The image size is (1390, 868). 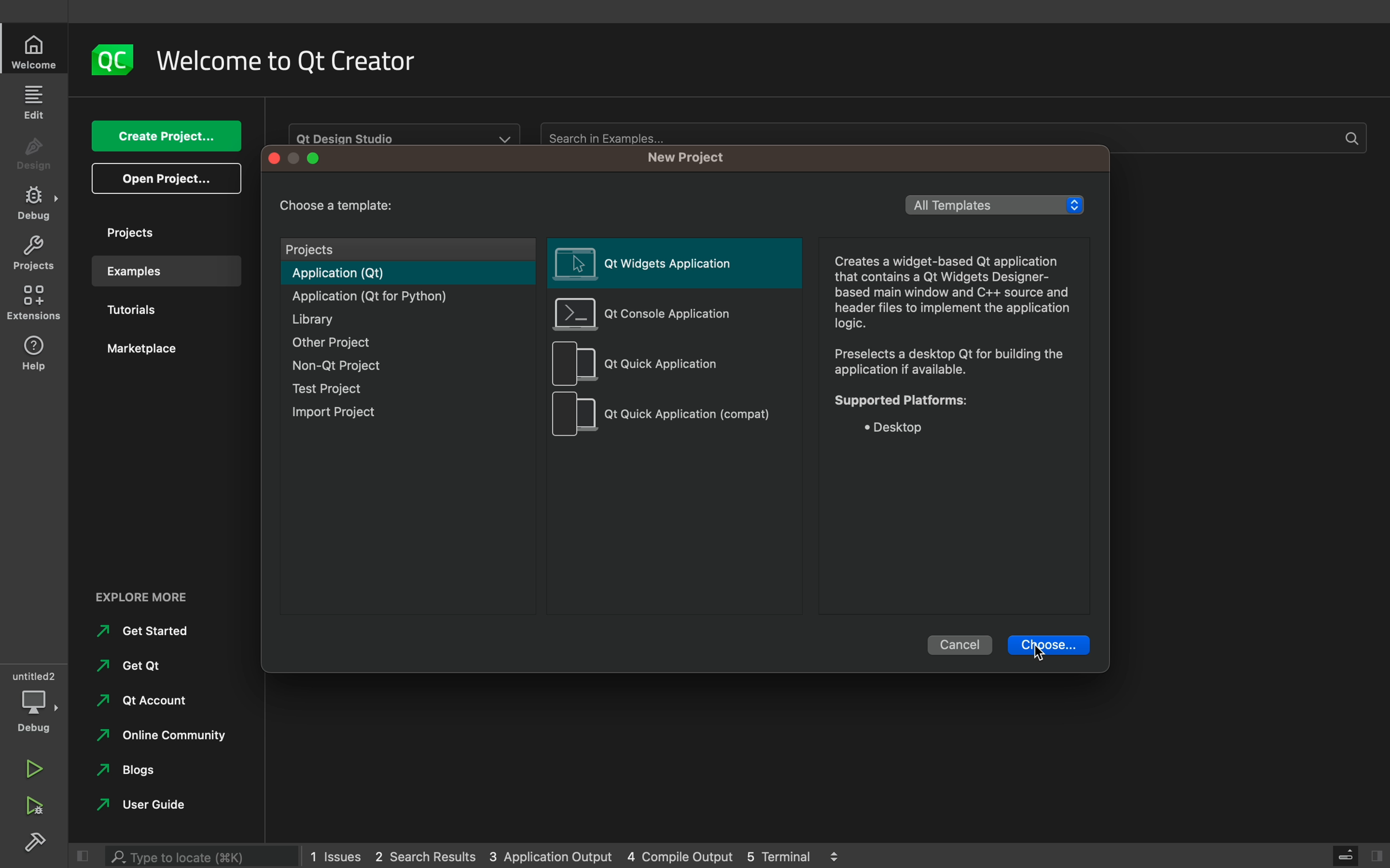 I want to click on non qt project, so click(x=403, y=365).